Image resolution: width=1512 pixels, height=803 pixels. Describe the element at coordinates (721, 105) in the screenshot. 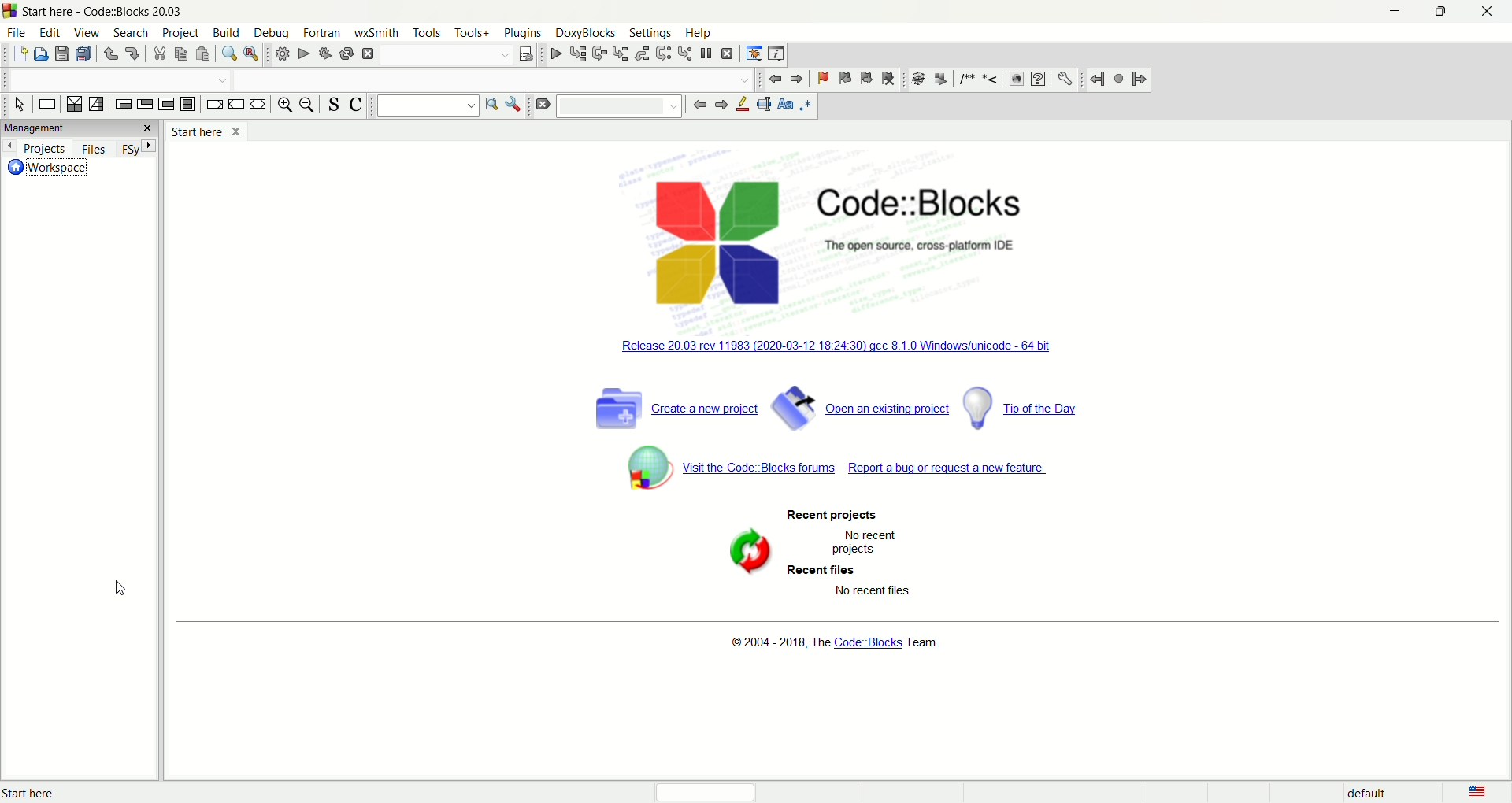

I see `go forward` at that location.